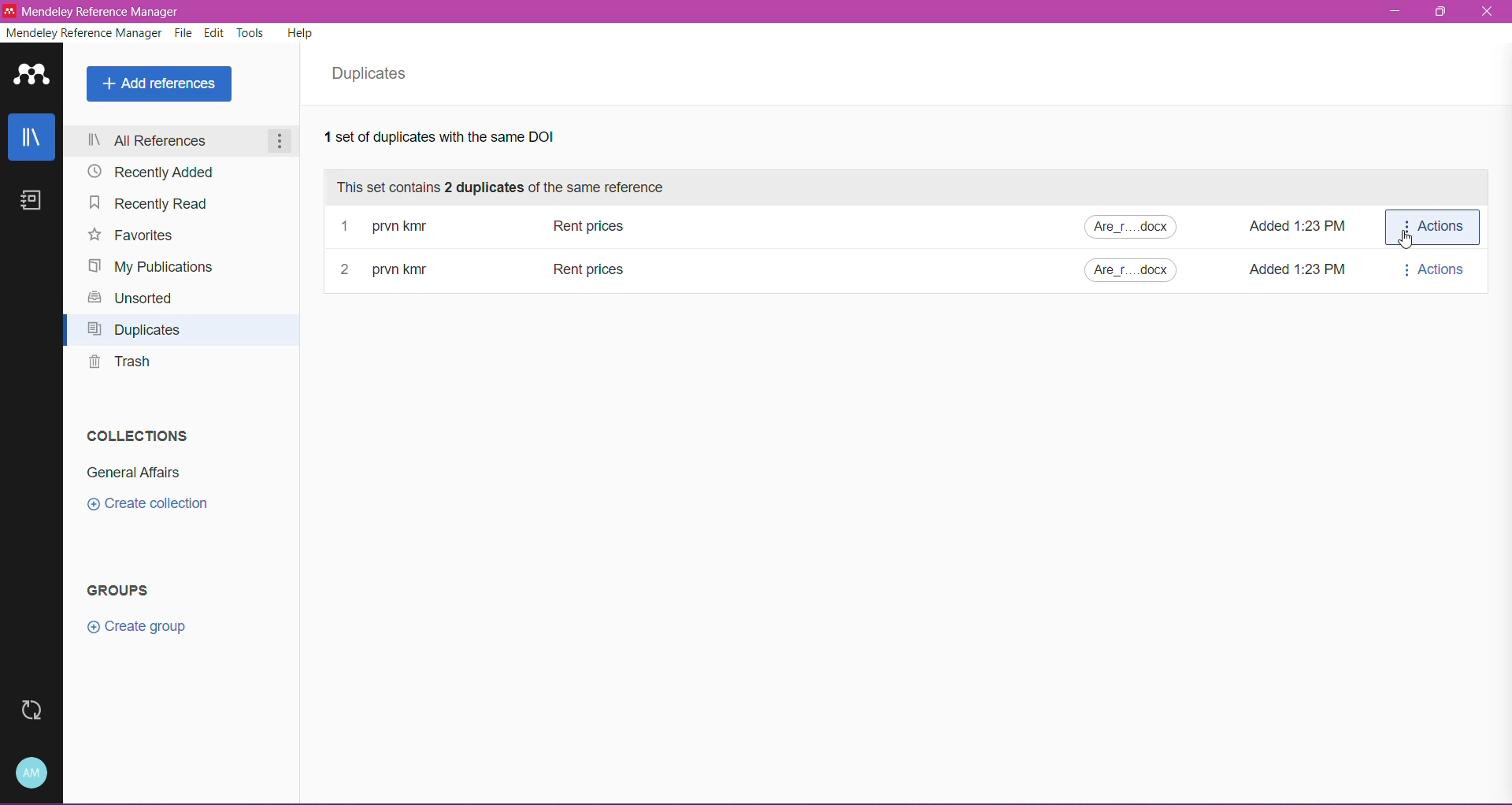  What do you see at coordinates (1443, 12) in the screenshot?
I see `Restore Down` at bounding box center [1443, 12].